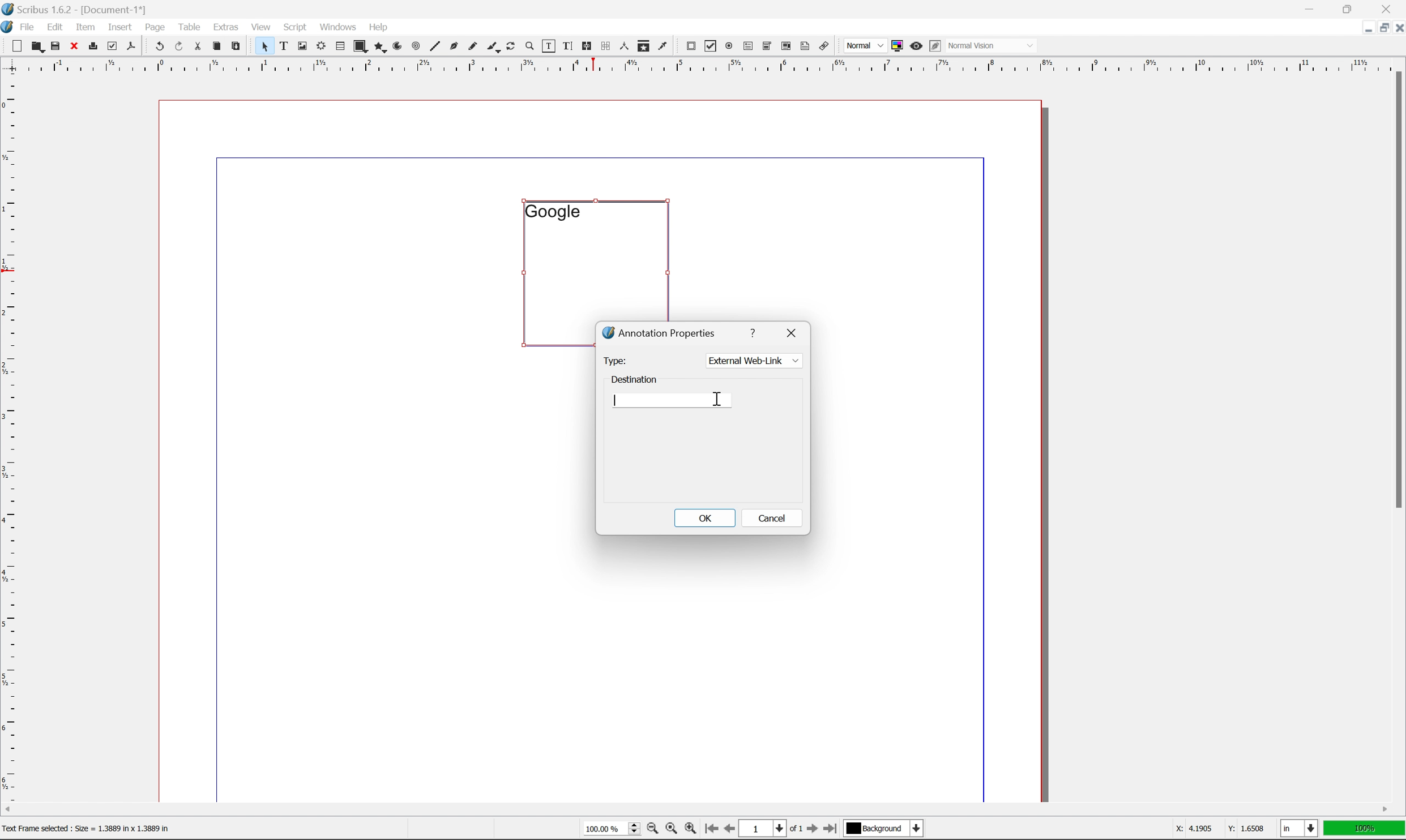 This screenshot has width=1406, height=840. Describe the element at coordinates (92, 47) in the screenshot. I see `print` at that location.